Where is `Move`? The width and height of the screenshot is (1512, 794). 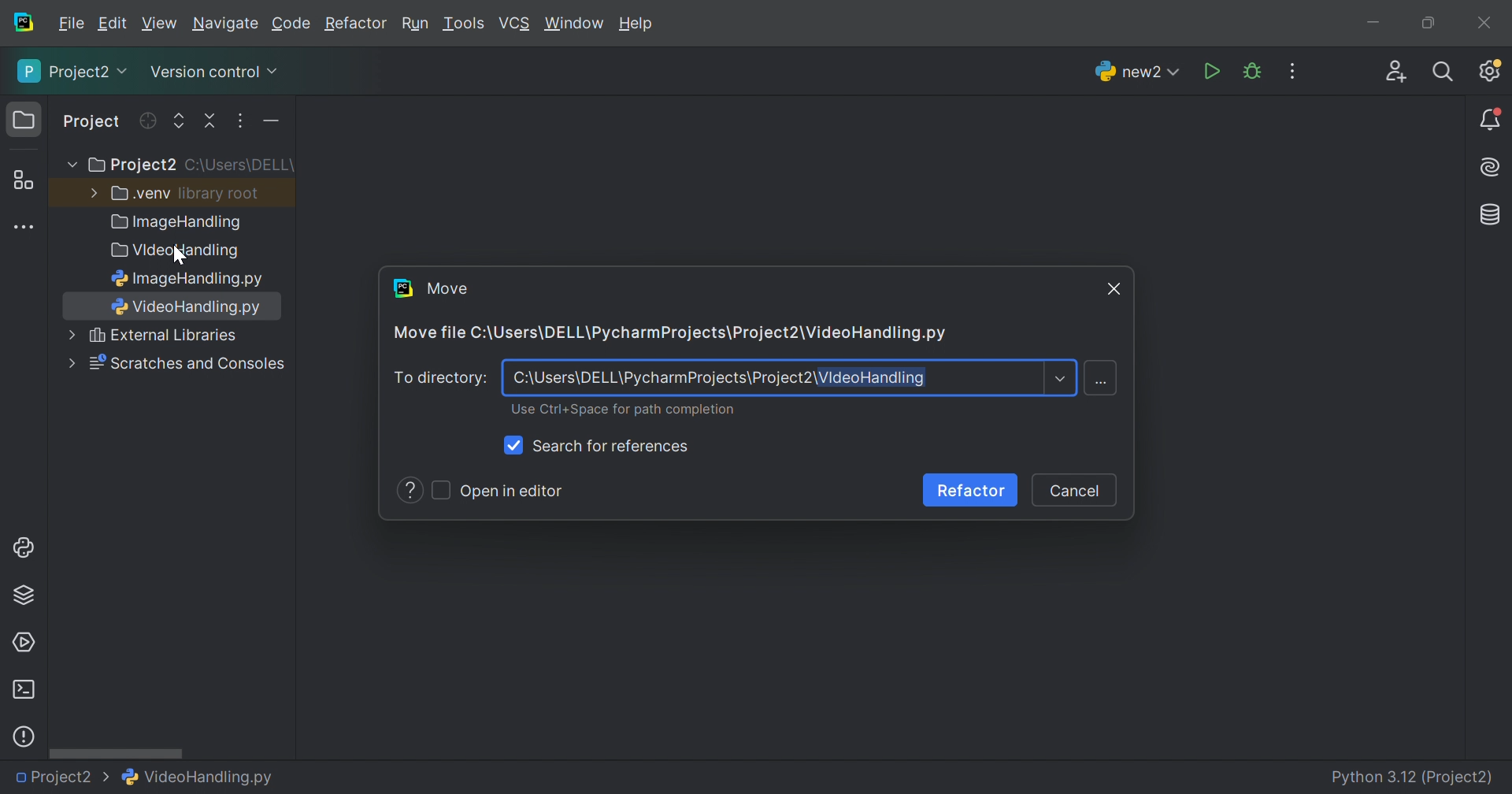
Move is located at coordinates (447, 288).